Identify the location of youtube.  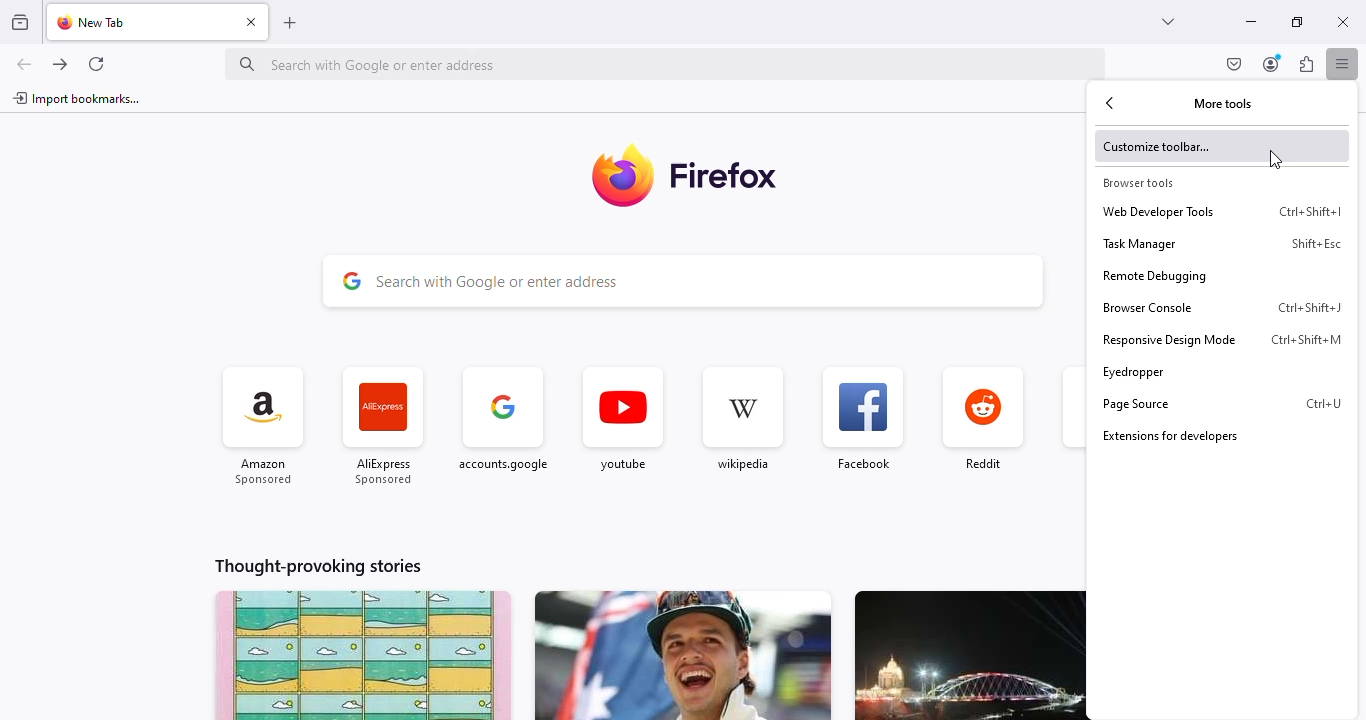
(622, 421).